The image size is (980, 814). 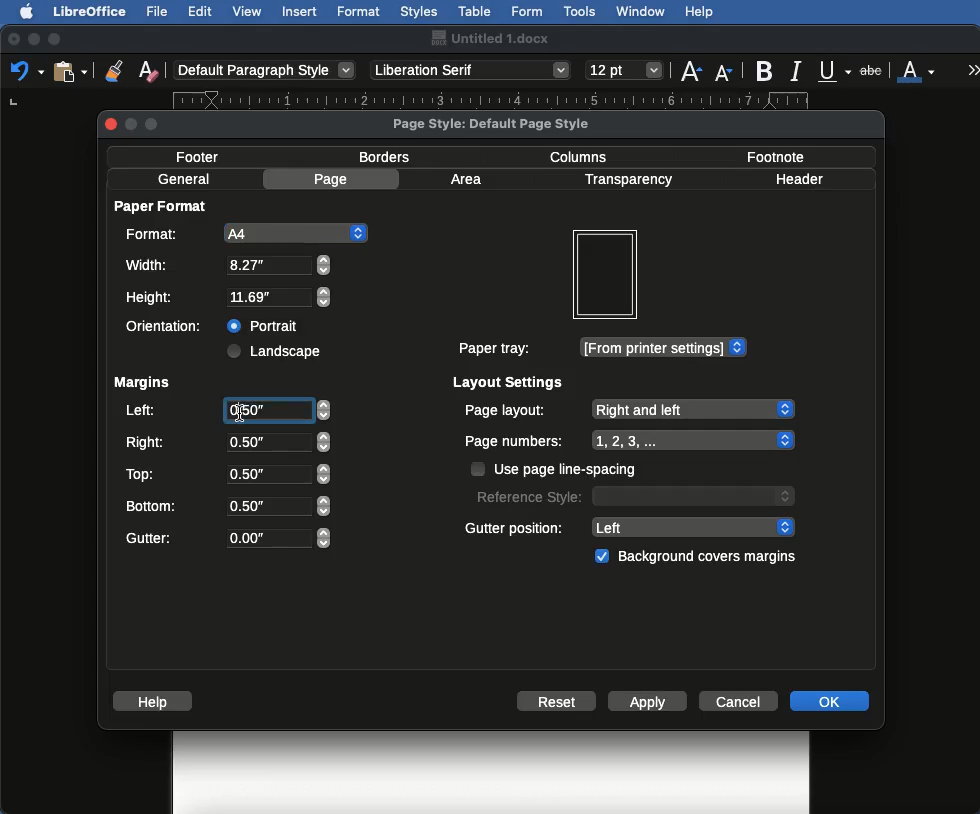 I want to click on Size decrease, so click(x=728, y=72).